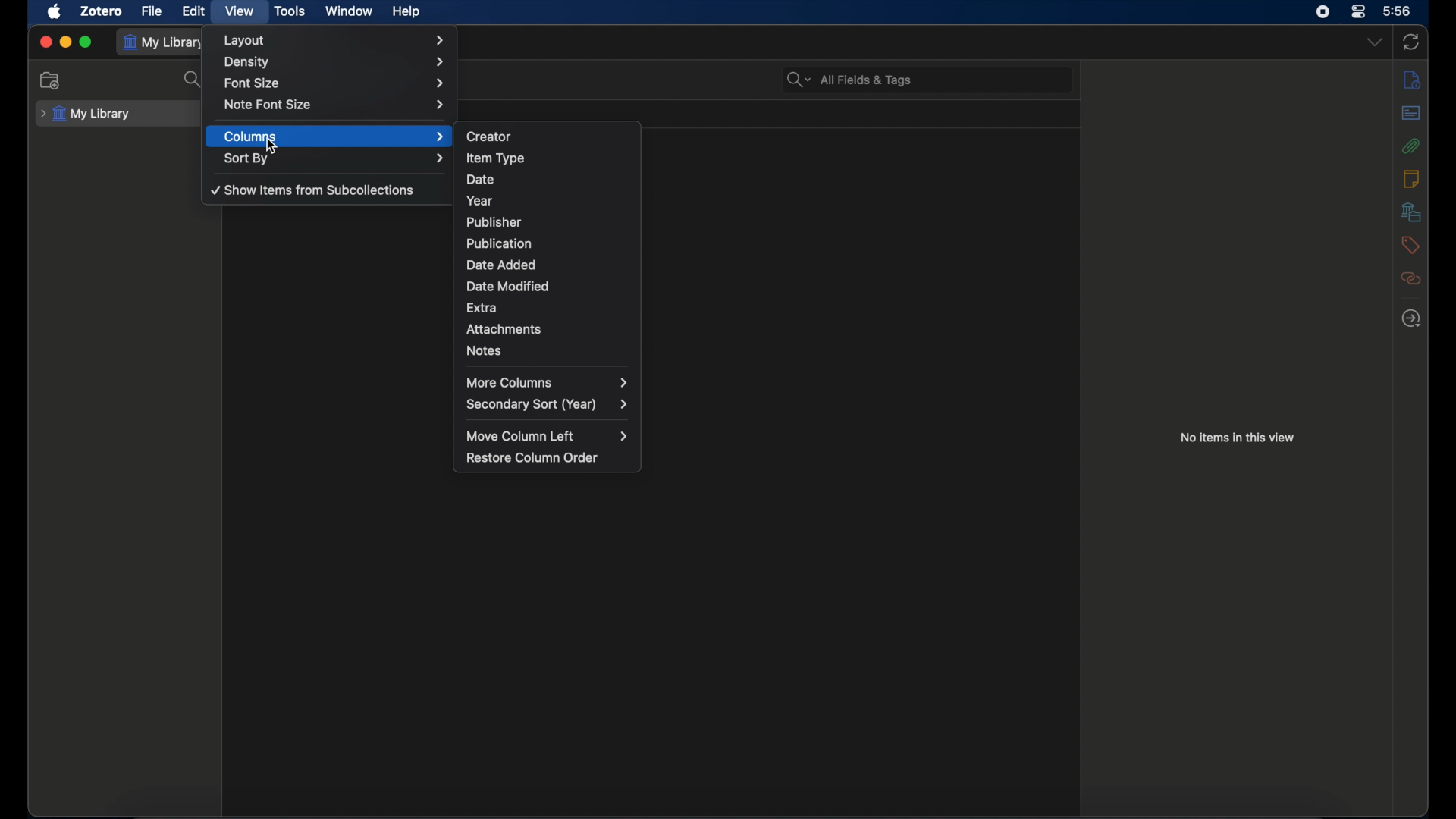  Describe the element at coordinates (850, 80) in the screenshot. I see `search bar` at that location.